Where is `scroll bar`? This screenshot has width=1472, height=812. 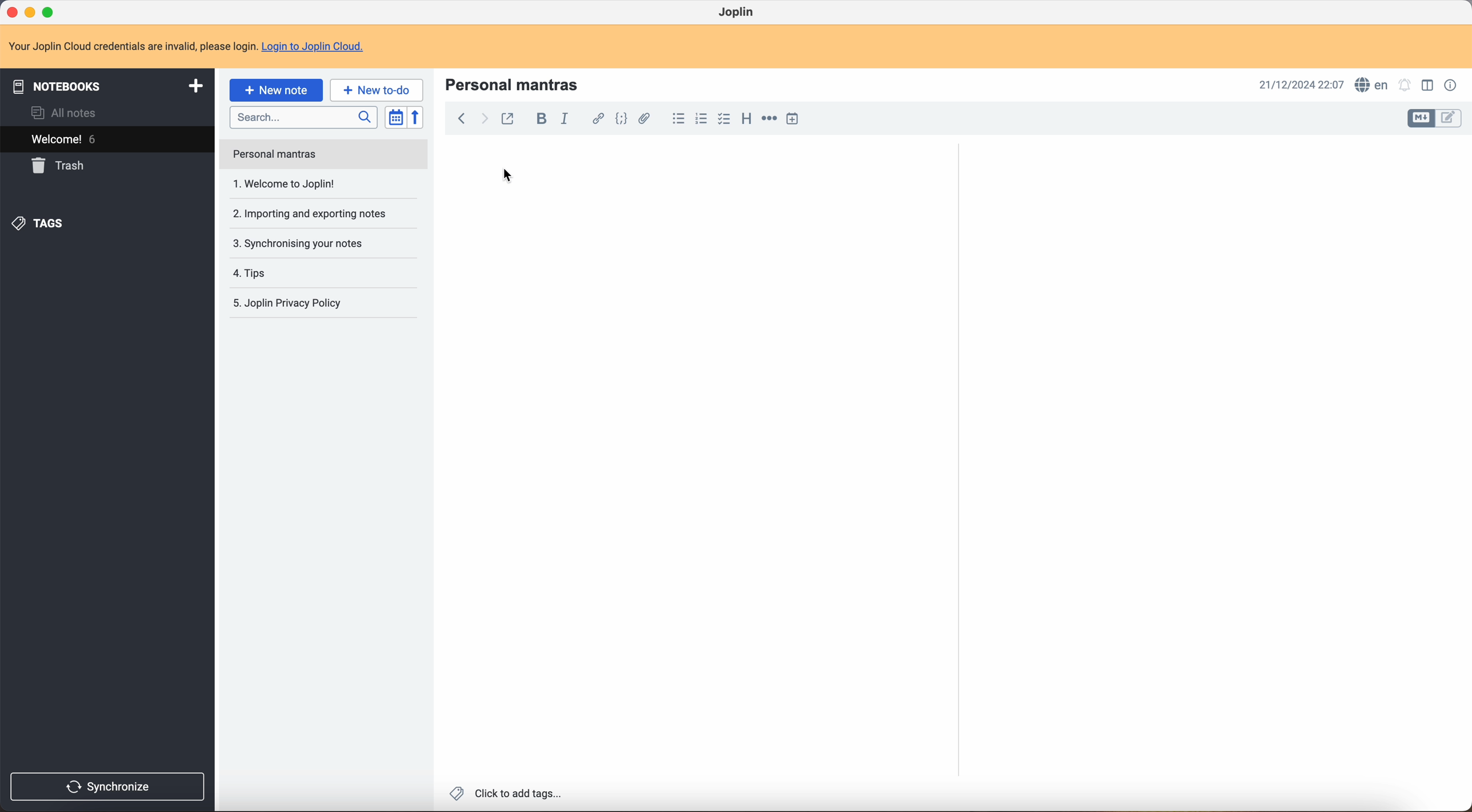
scroll bar is located at coordinates (956, 345).